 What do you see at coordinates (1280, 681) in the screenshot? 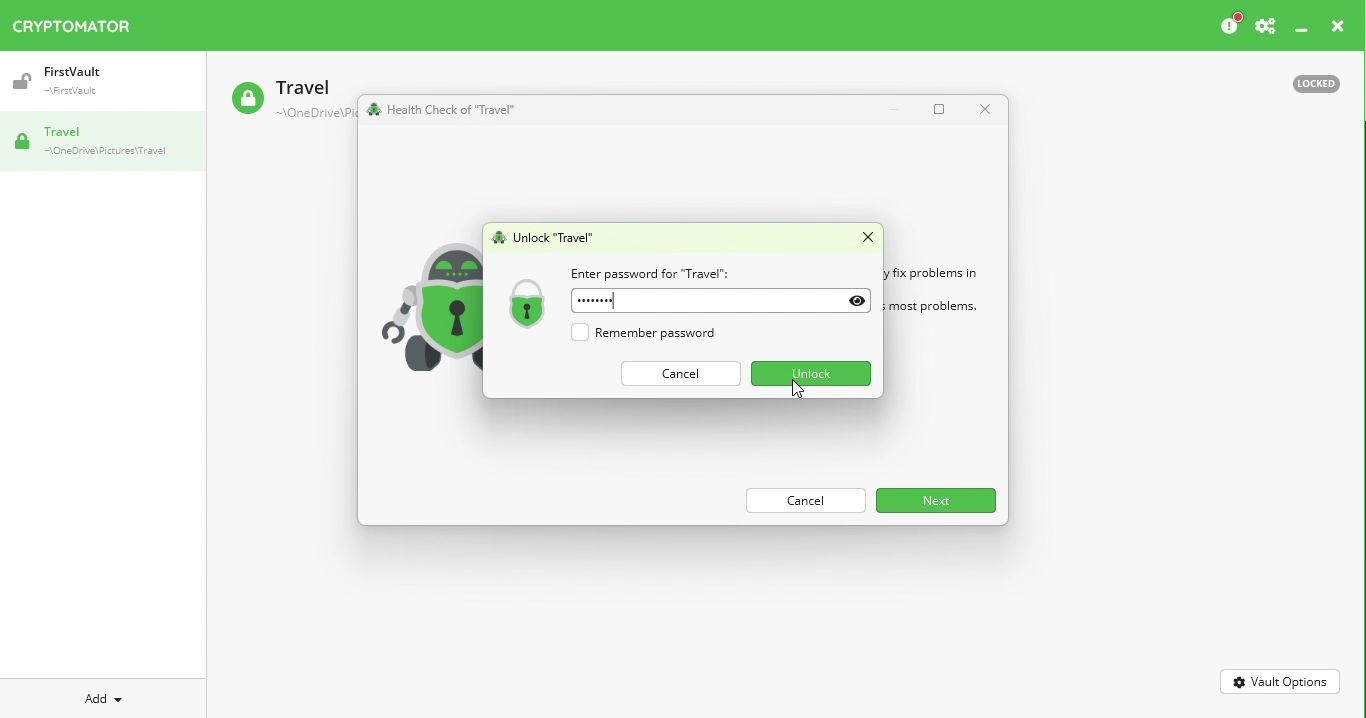
I see `Vault Options` at bounding box center [1280, 681].